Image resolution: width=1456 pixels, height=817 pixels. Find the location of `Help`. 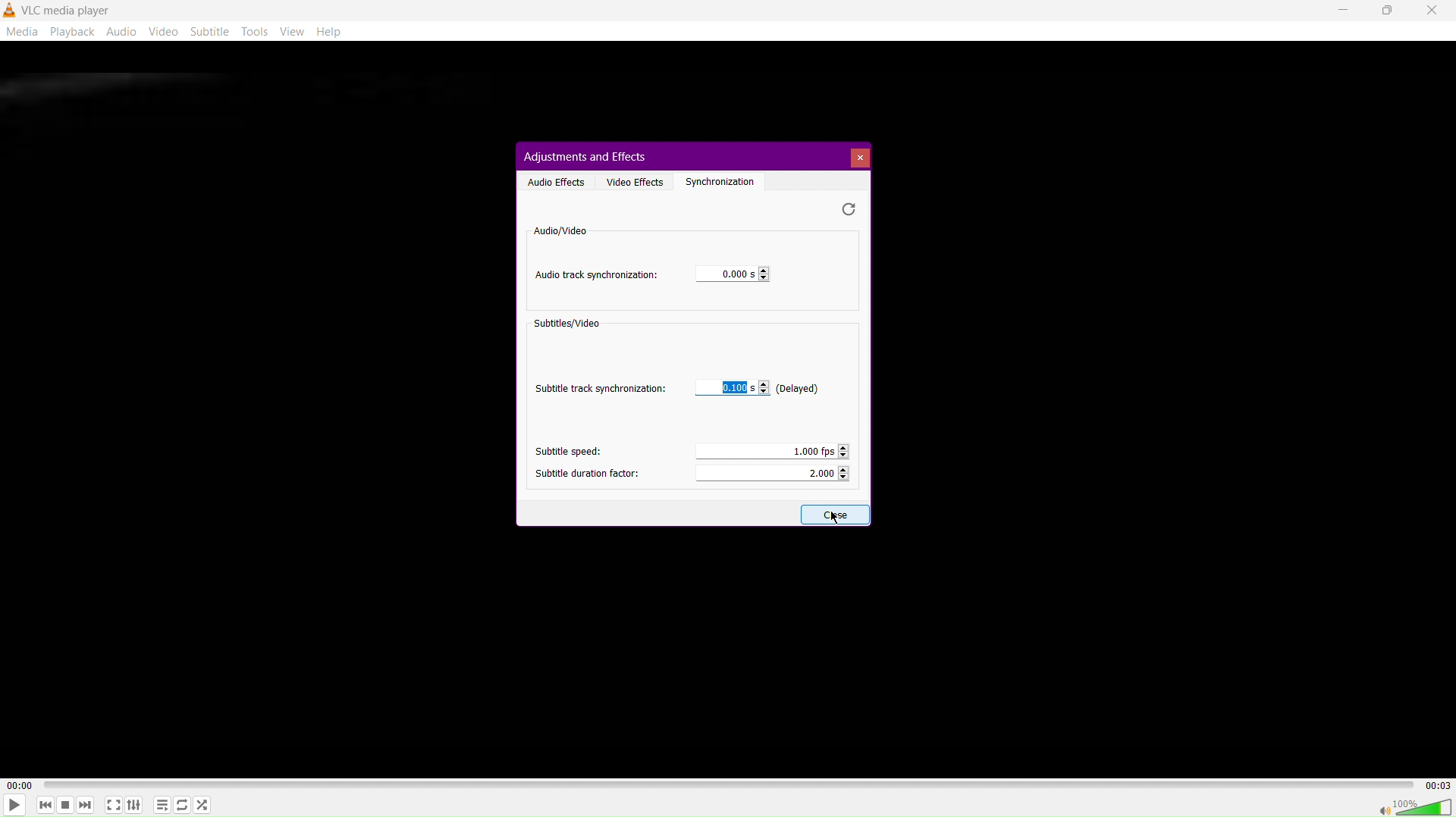

Help is located at coordinates (334, 32).